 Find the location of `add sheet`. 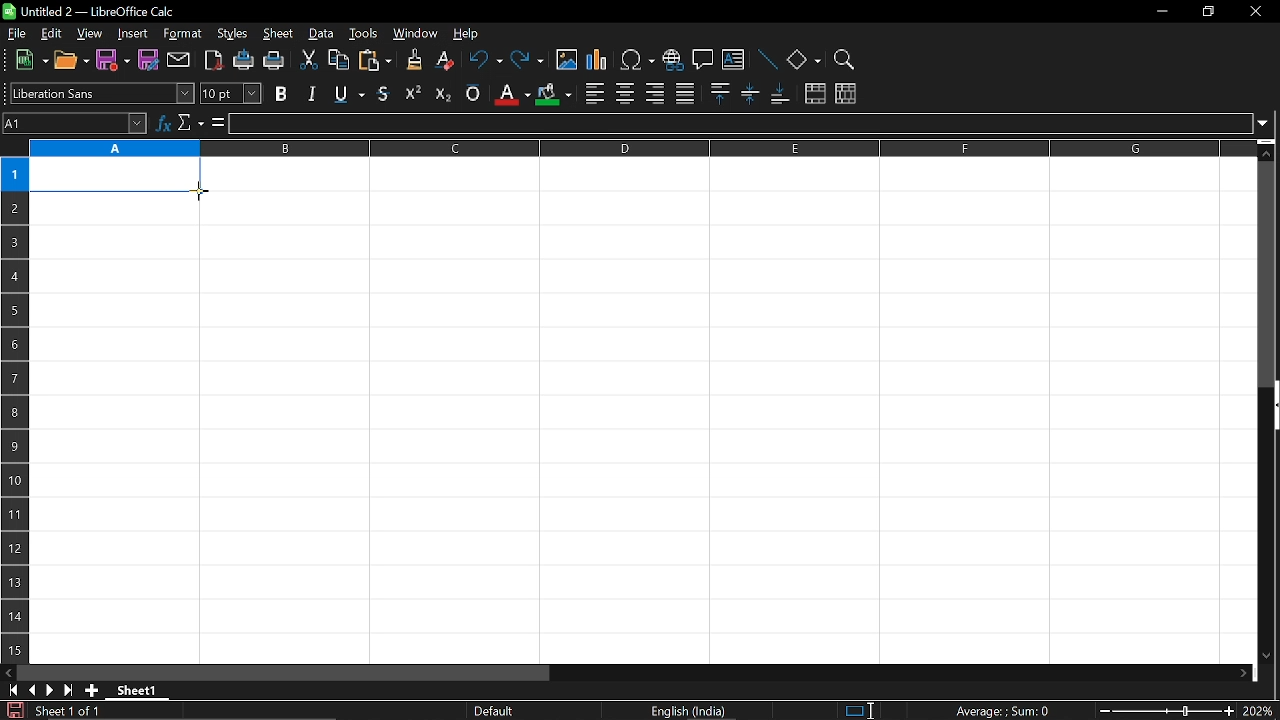

add sheet is located at coordinates (92, 691).